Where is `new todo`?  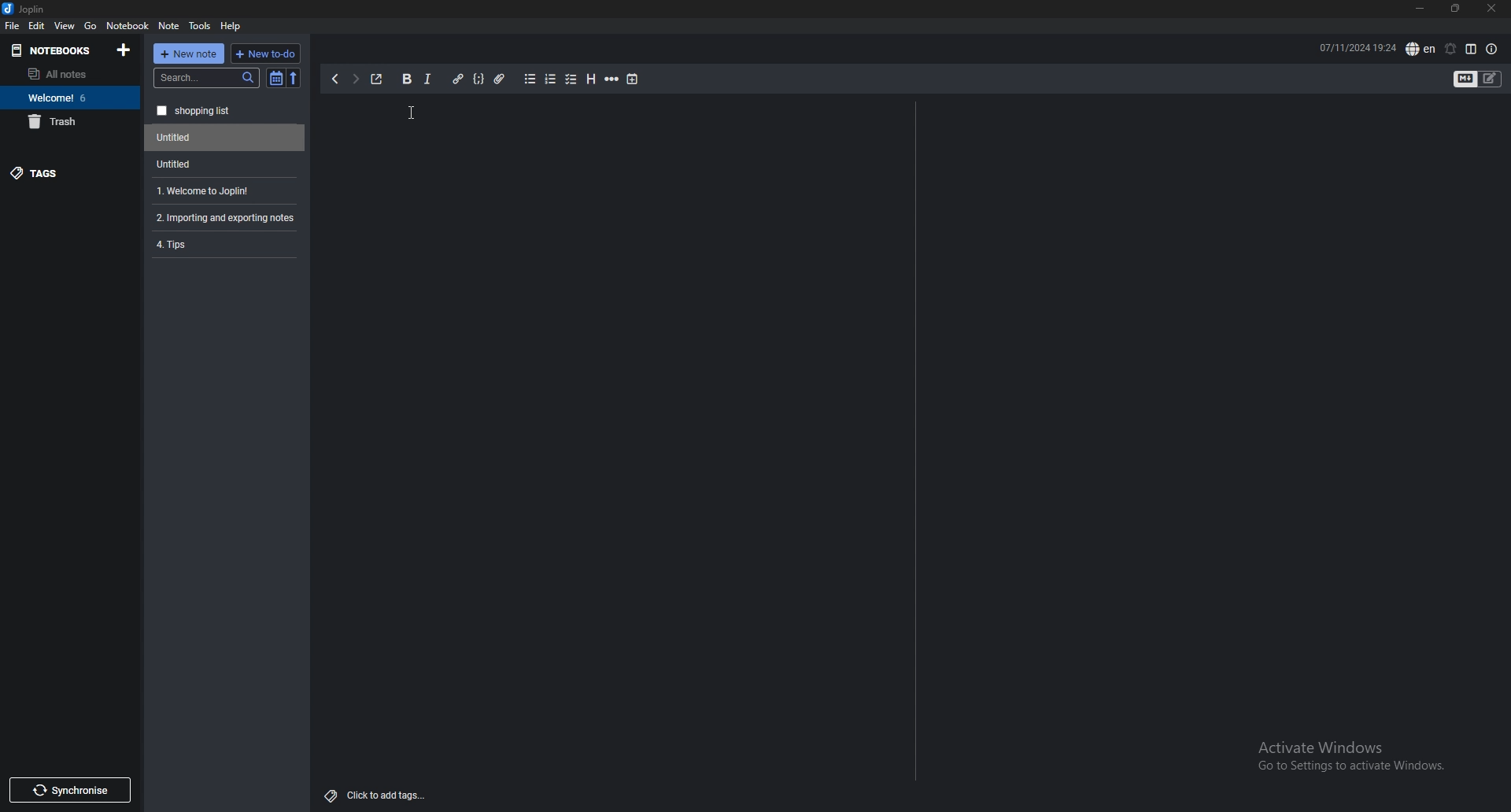 new todo is located at coordinates (264, 54).